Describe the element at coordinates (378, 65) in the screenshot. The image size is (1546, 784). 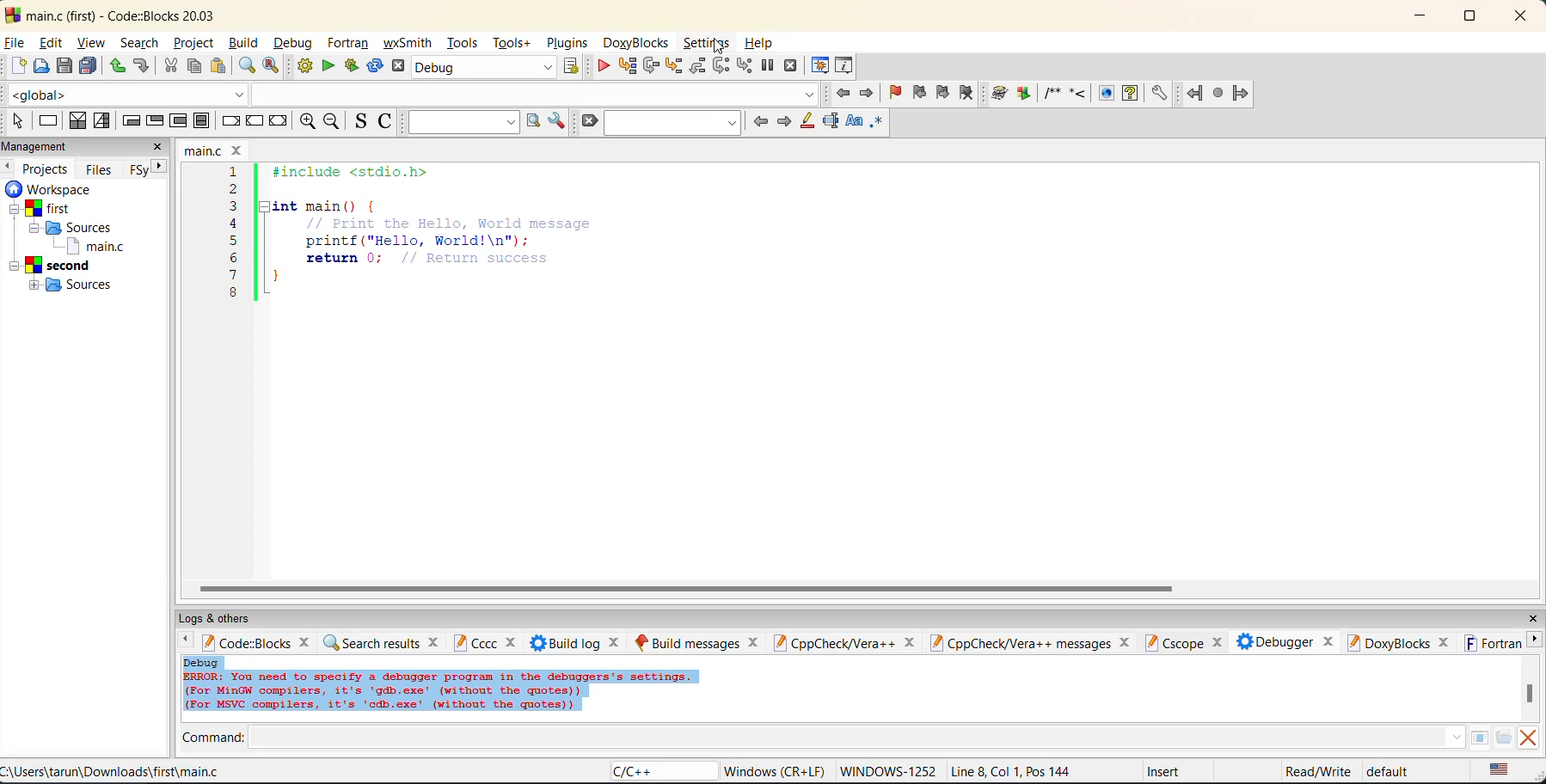
I see `rebuild` at that location.